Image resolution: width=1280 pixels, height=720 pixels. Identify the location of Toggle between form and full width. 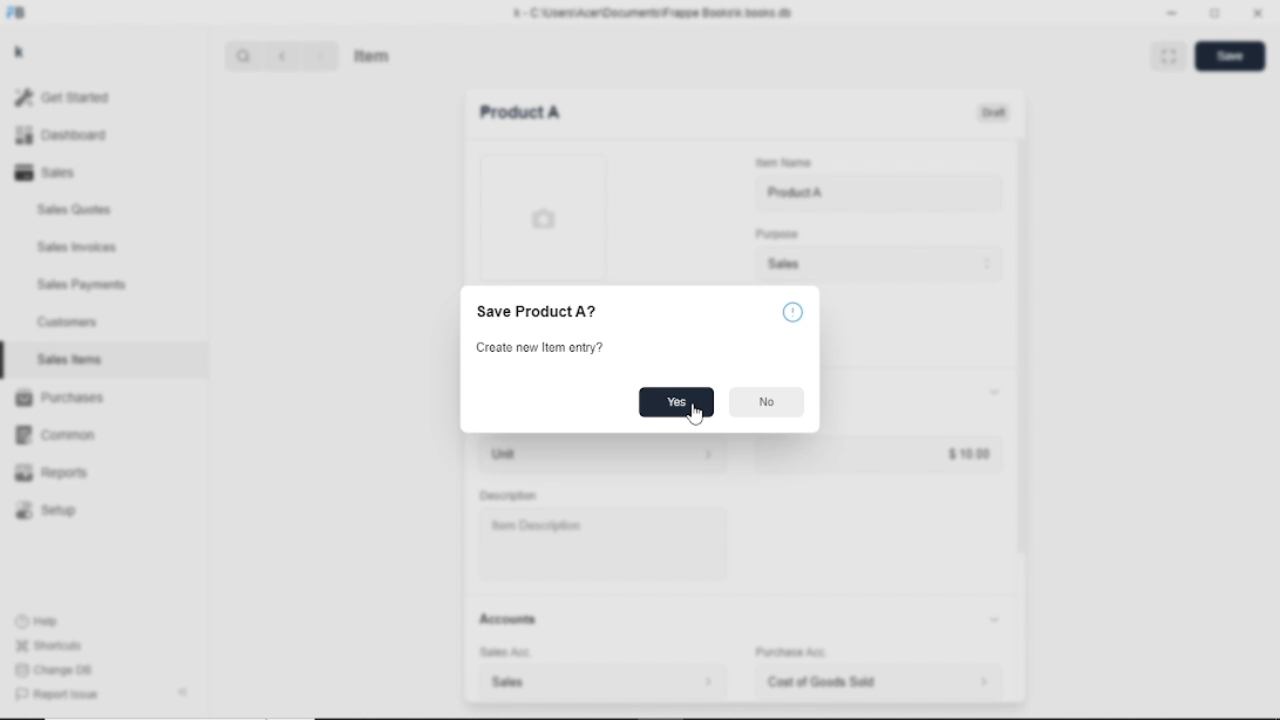
(1215, 12).